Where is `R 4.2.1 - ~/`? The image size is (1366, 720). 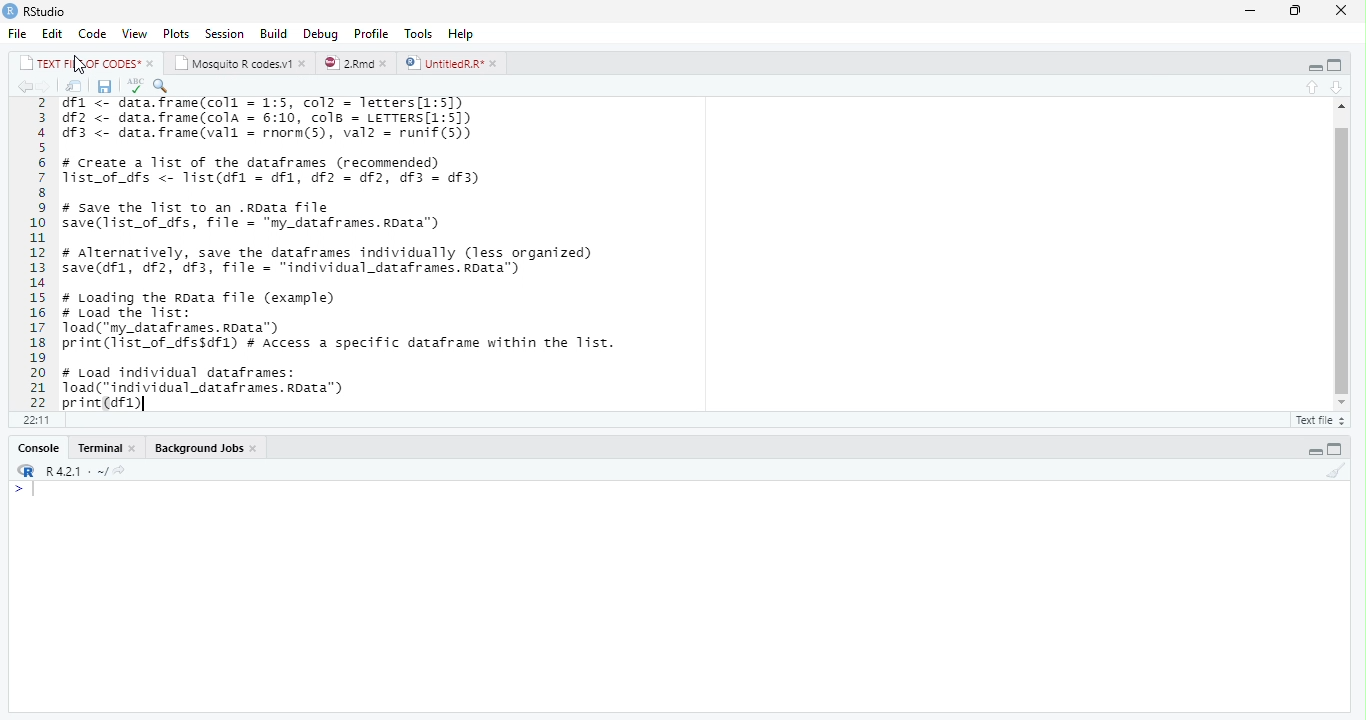
R 4.2.1 - ~/ is located at coordinates (67, 470).